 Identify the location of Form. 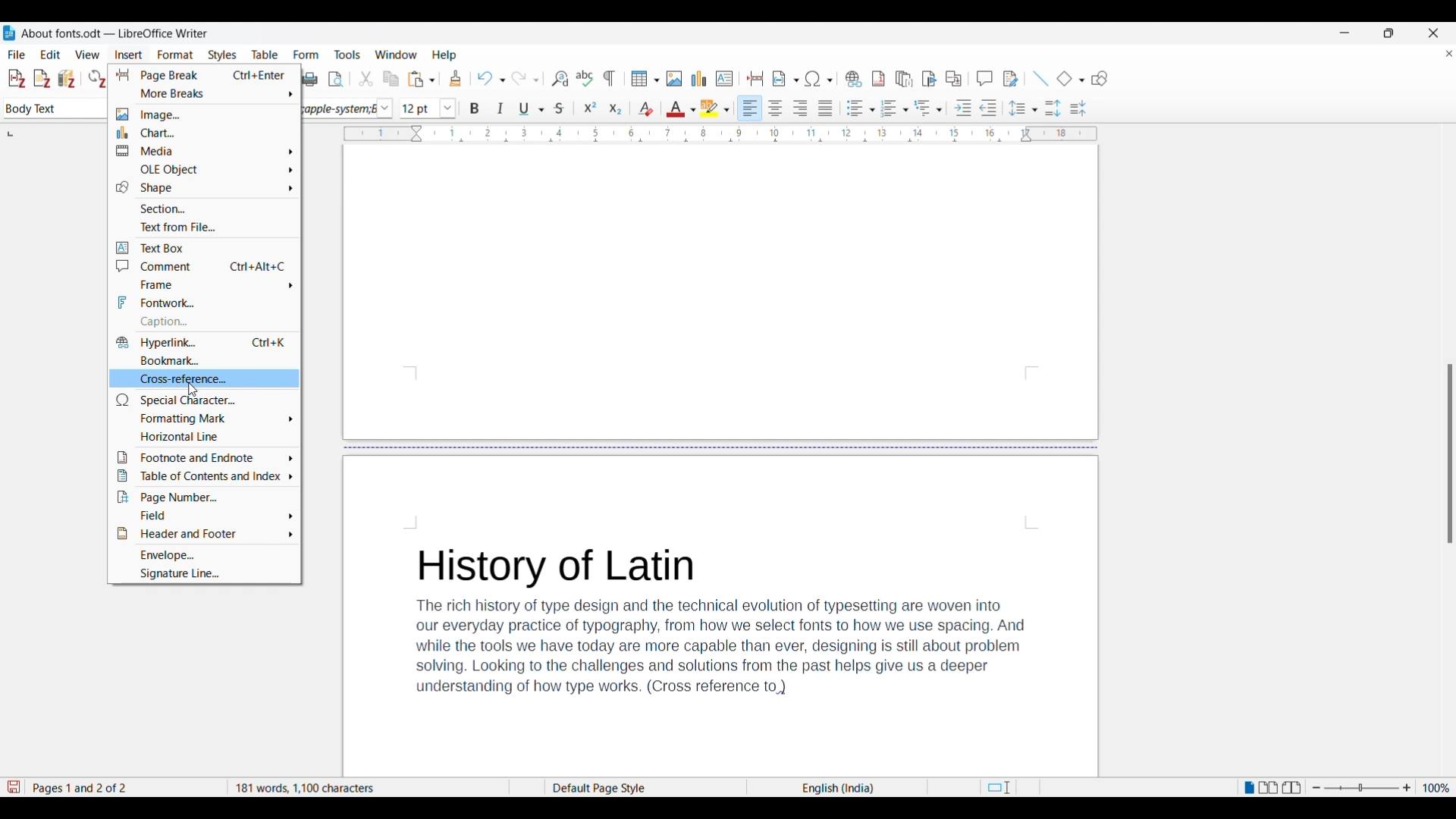
(311, 55).